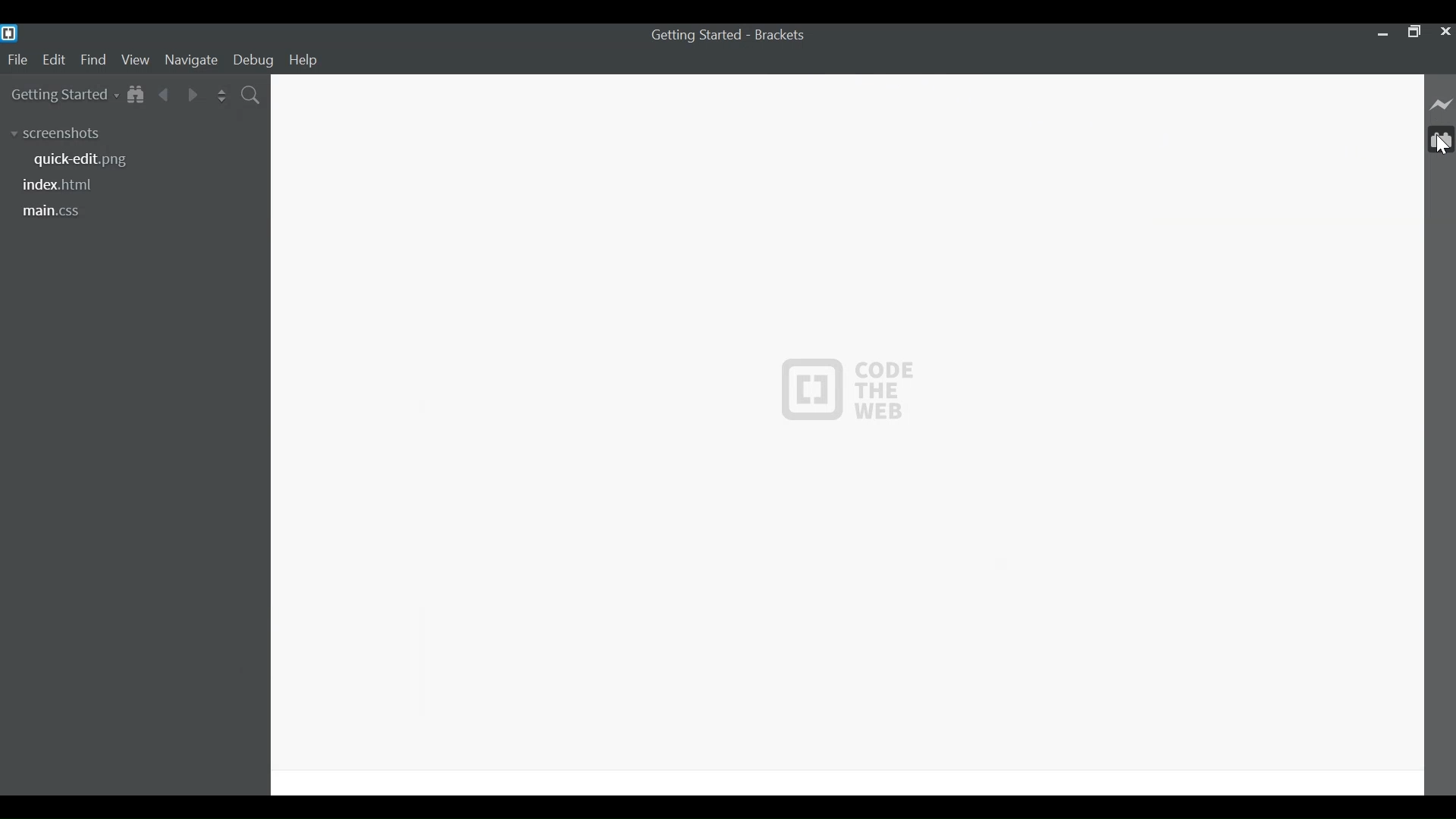 This screenshot has height=819, width=1456. What do you see at coordinates (1441, 106) in the screenshot?
I see `Live Preview` at bounding box center [1441, 106].